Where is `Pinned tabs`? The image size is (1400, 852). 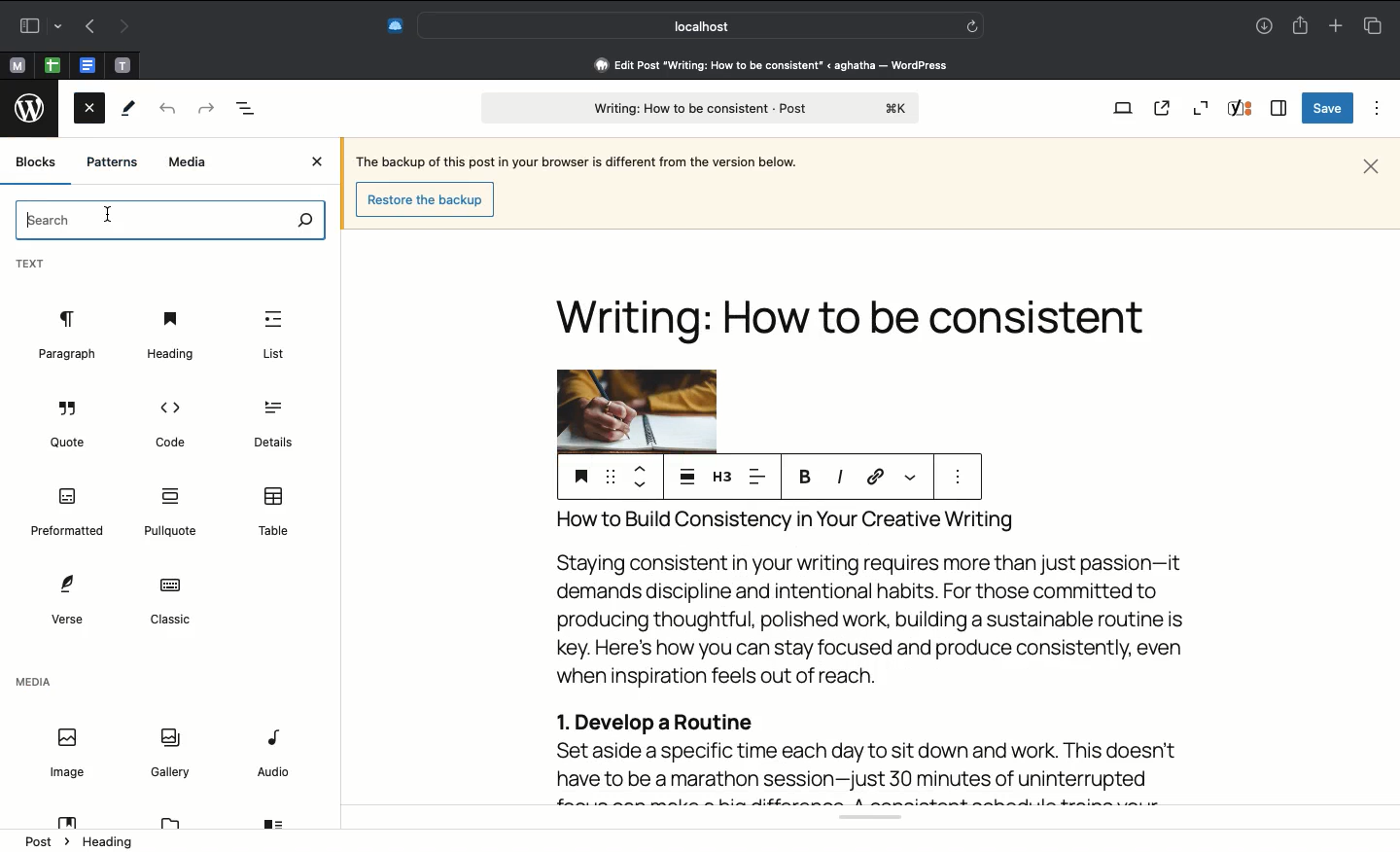 Pinned tabs is located at coordinates (52, 64).